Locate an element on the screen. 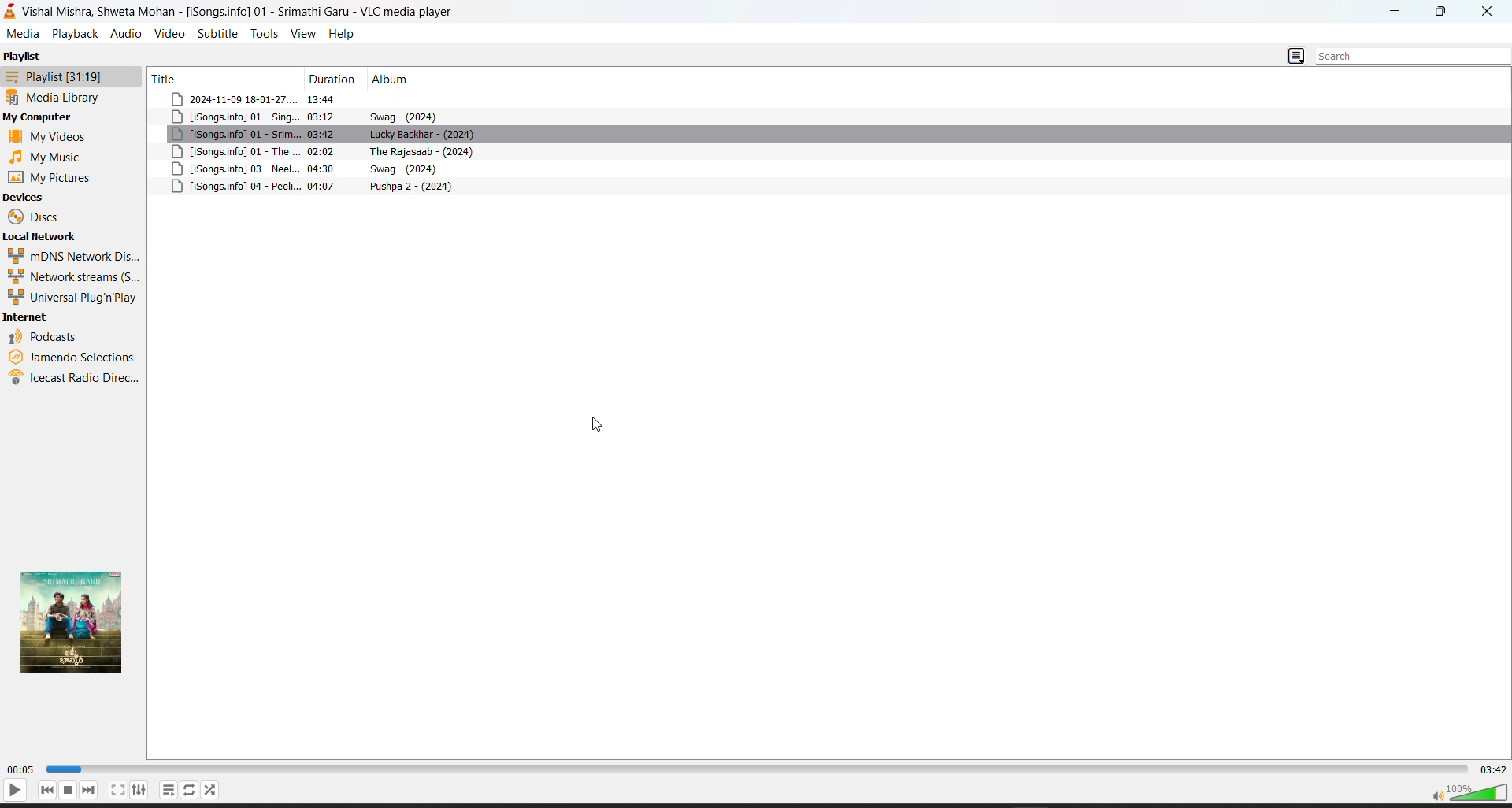  podcast is located at coordinates (52, 336).